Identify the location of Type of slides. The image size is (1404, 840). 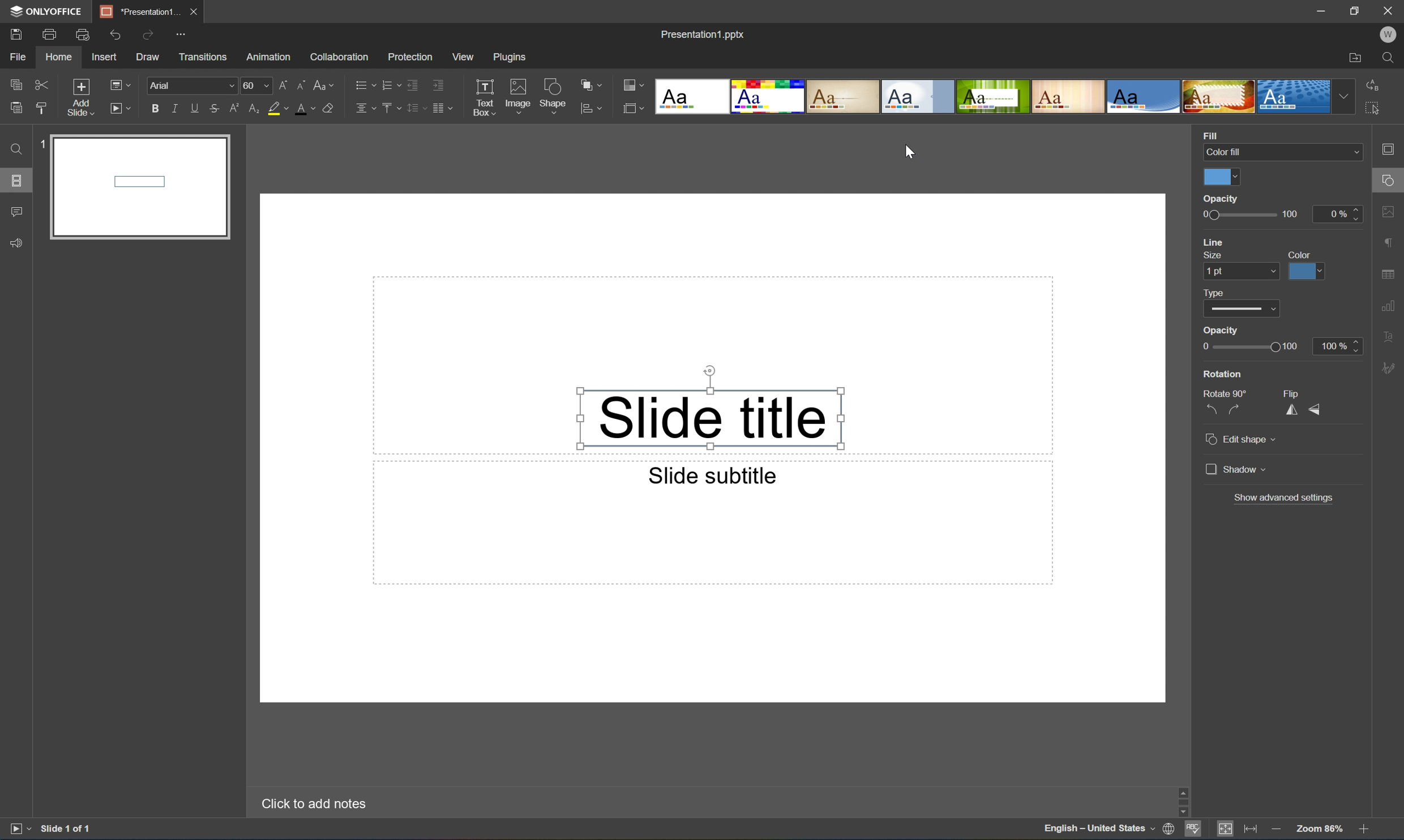
(1003, 97).